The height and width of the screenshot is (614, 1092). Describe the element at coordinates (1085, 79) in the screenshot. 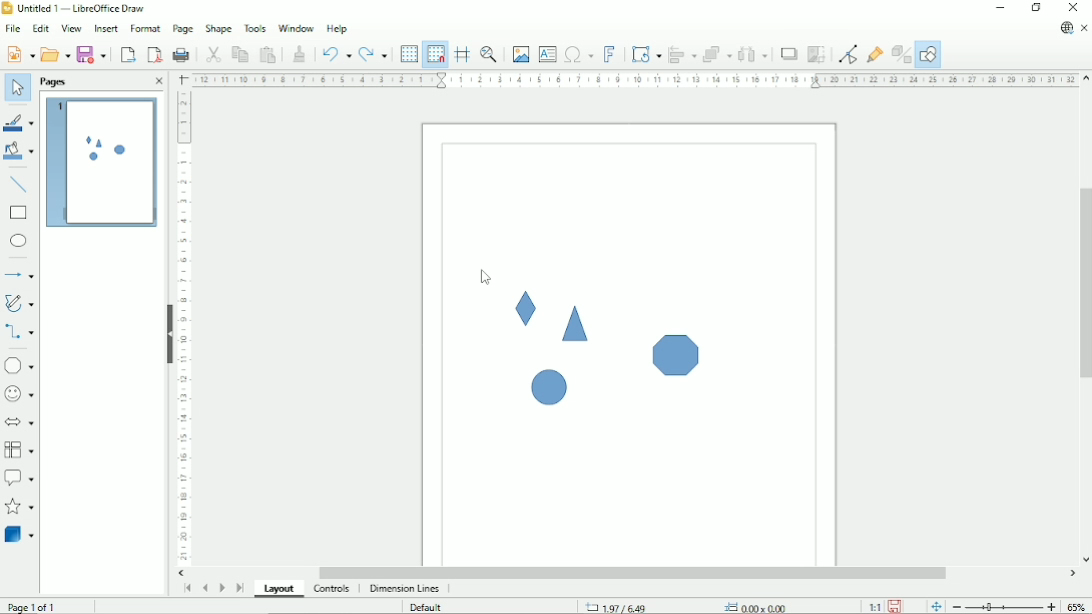

I see `Vertical scroll button` at that location.